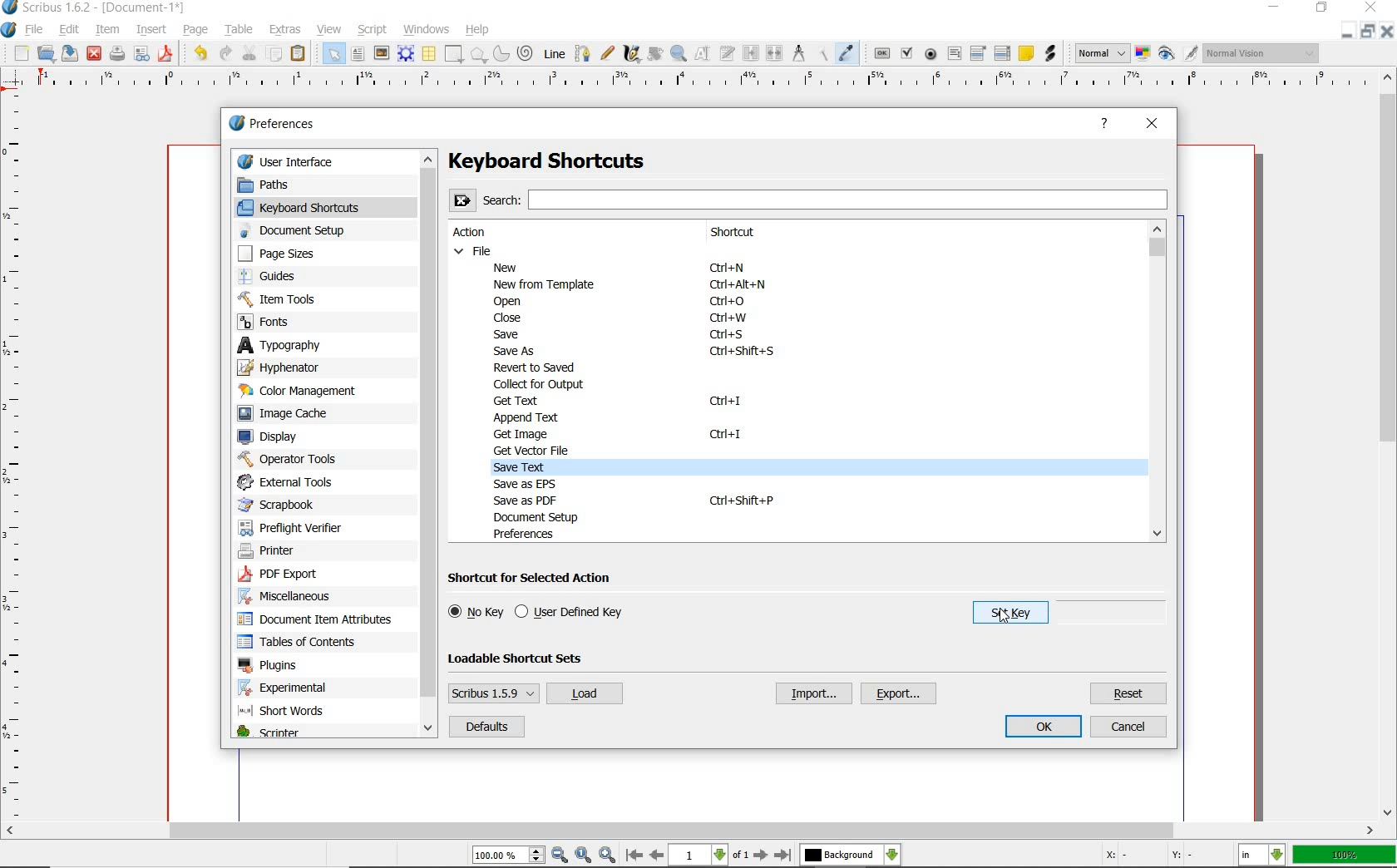 The width and height of the screenshot is (1397, 868). What do you see at coordinates (812, 693) in the screenshot?
I see `import` at bounding box center [812, 693].